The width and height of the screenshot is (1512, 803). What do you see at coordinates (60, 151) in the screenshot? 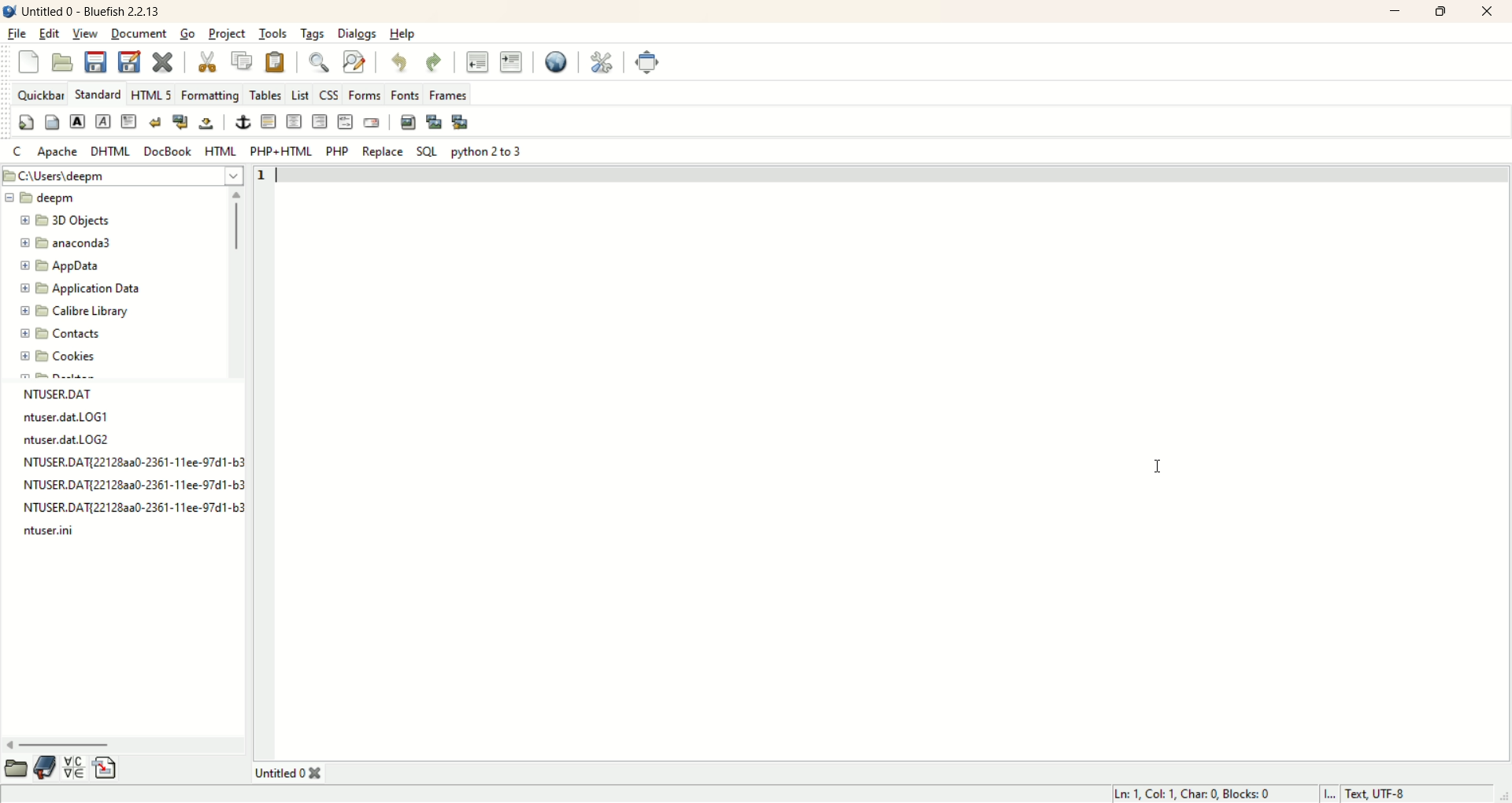
I see `apache` at bounding box center [60, 151].